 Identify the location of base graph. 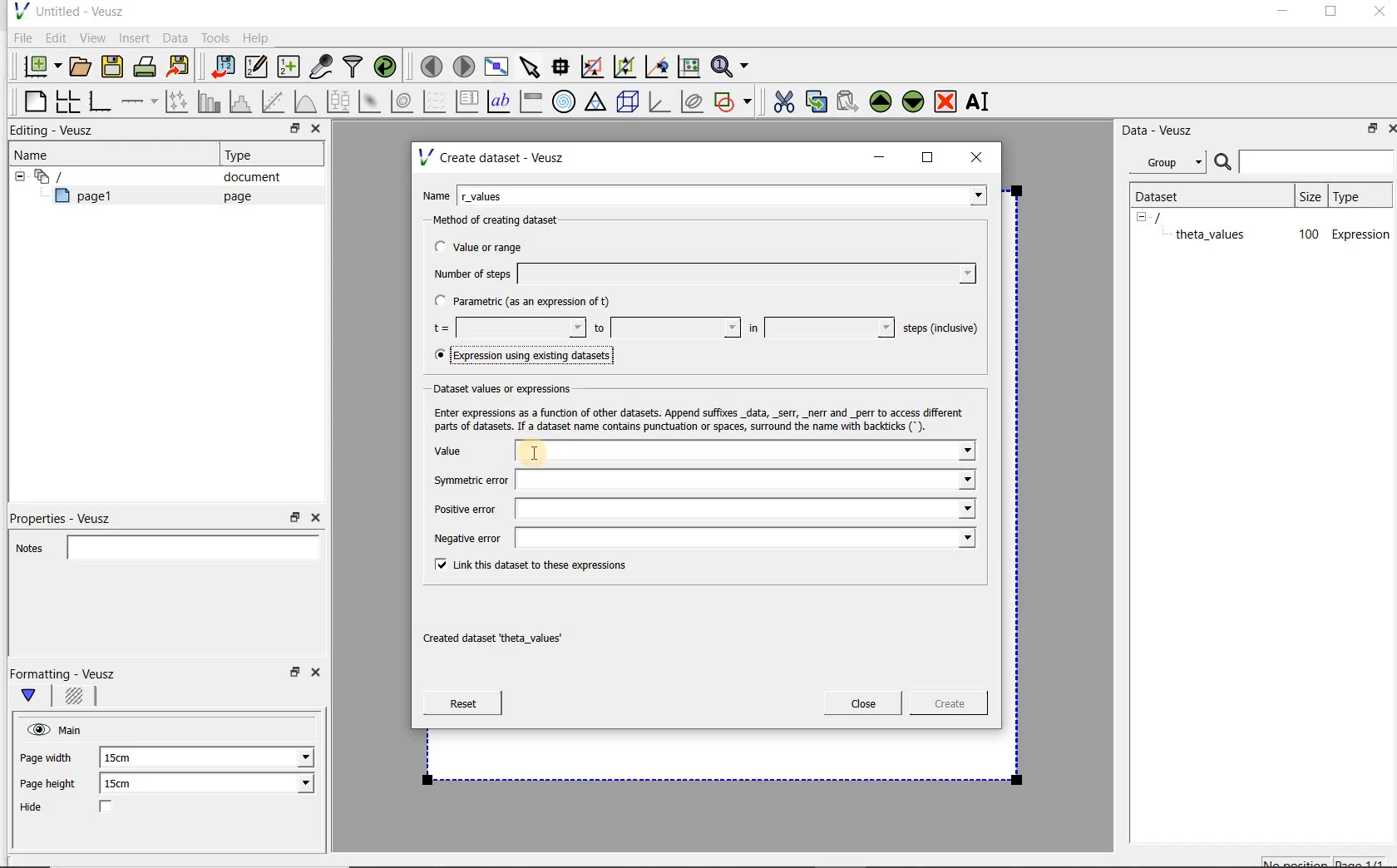
(99, 102).